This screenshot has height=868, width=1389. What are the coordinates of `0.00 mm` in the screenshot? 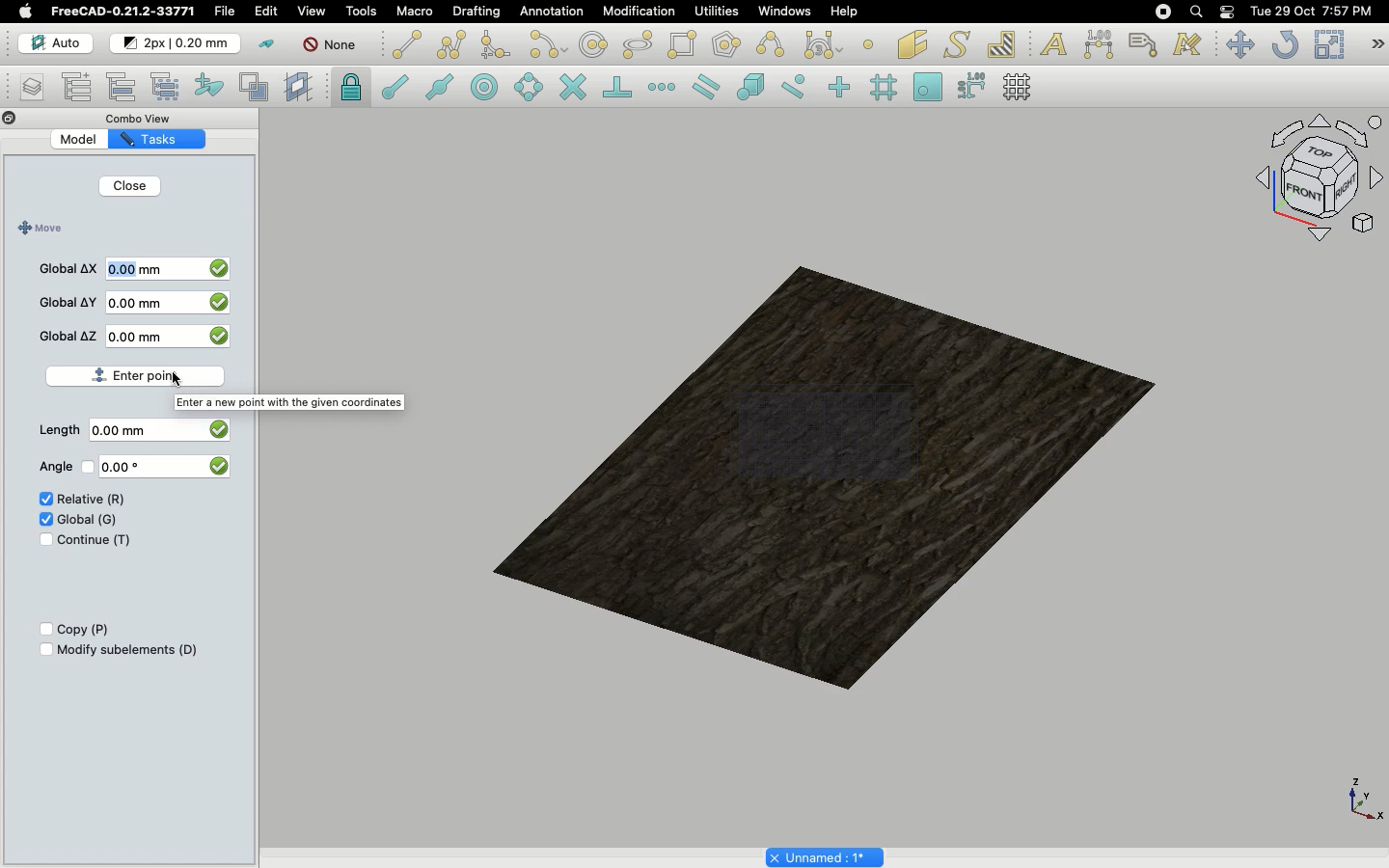 It's located at (168, 303).